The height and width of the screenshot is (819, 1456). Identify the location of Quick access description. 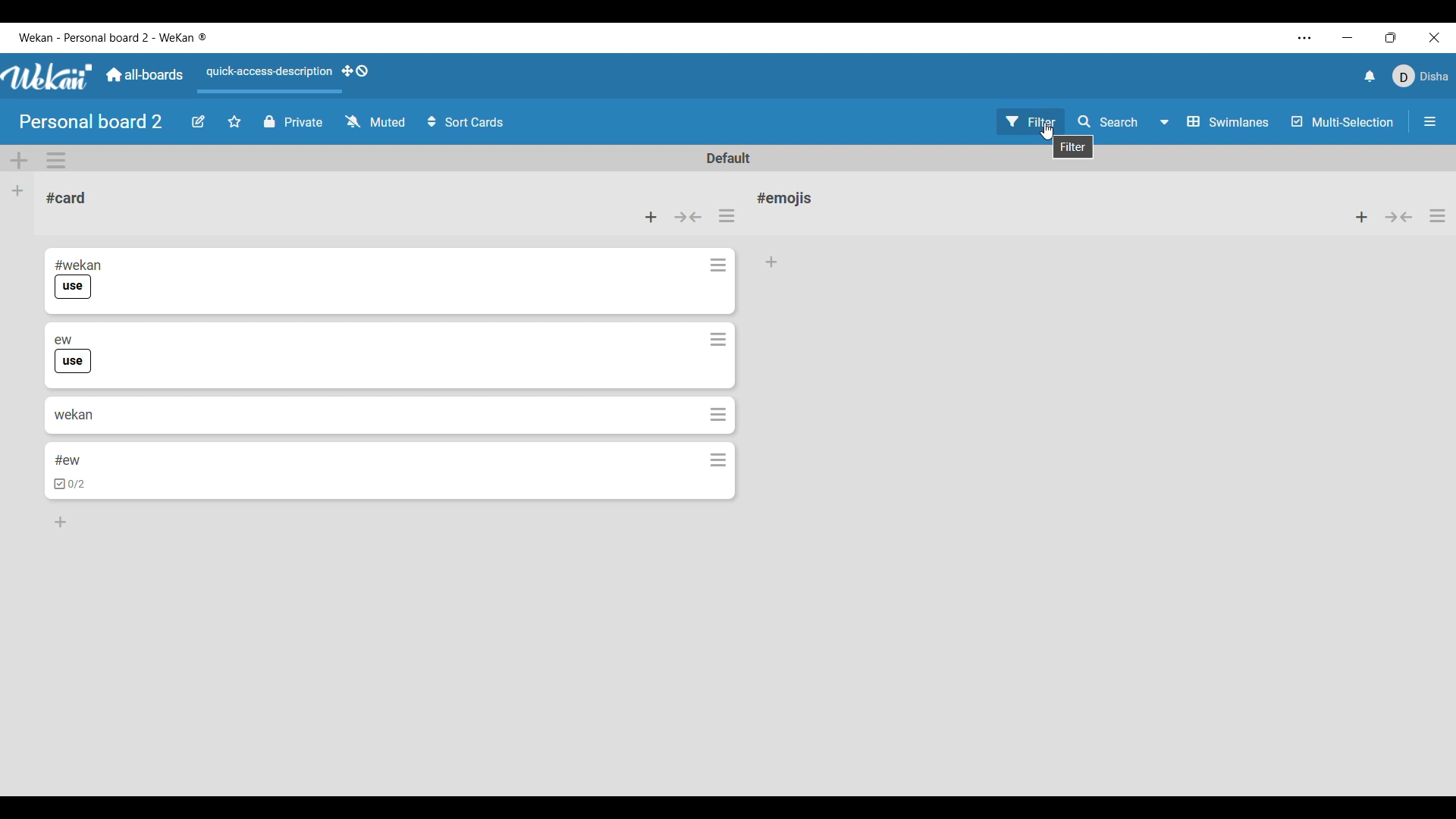
(267, 72).